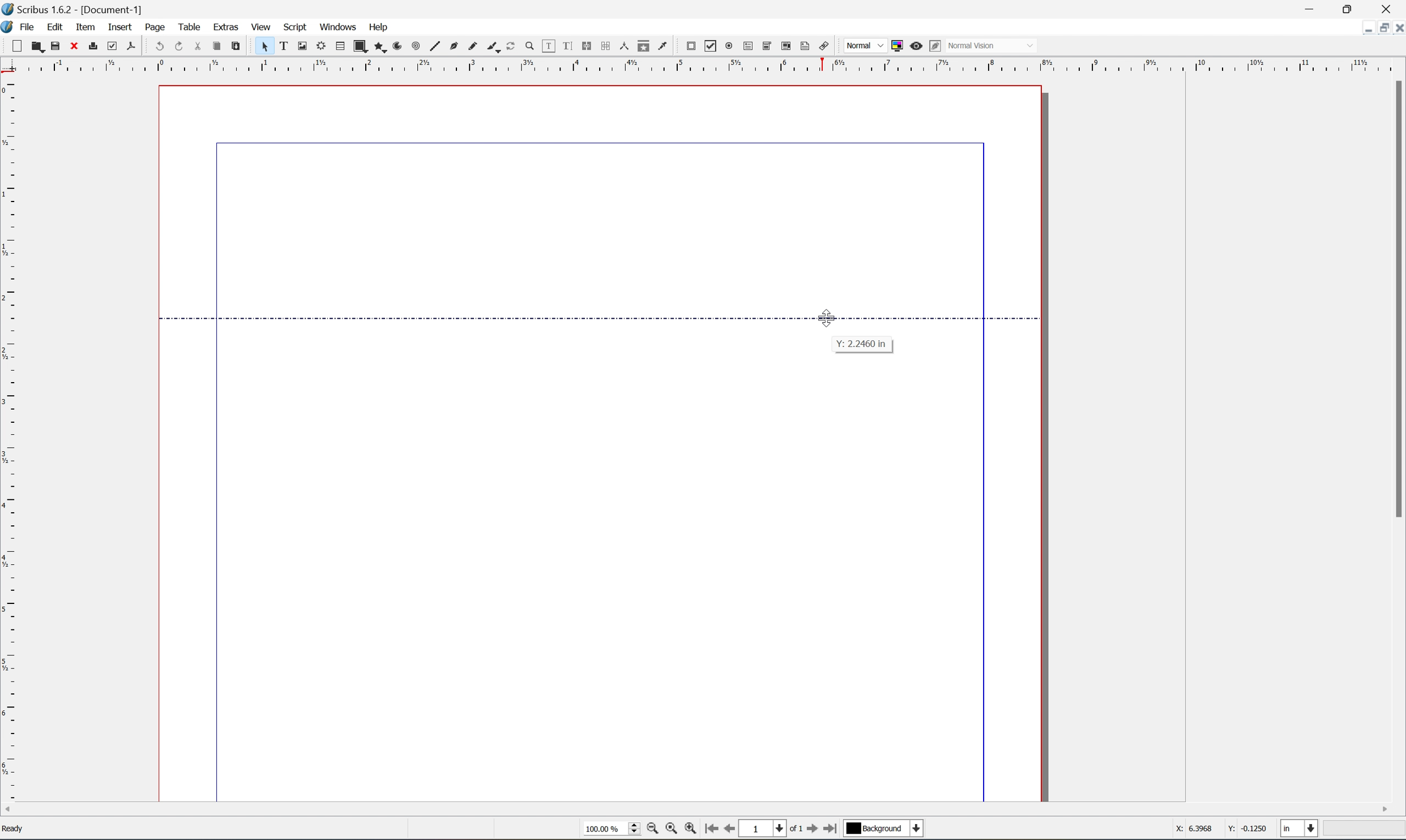 The image size is (1406, 840). Describe the element at coordinates (625, 46) in the screenshot. I see `measurements` at that location.